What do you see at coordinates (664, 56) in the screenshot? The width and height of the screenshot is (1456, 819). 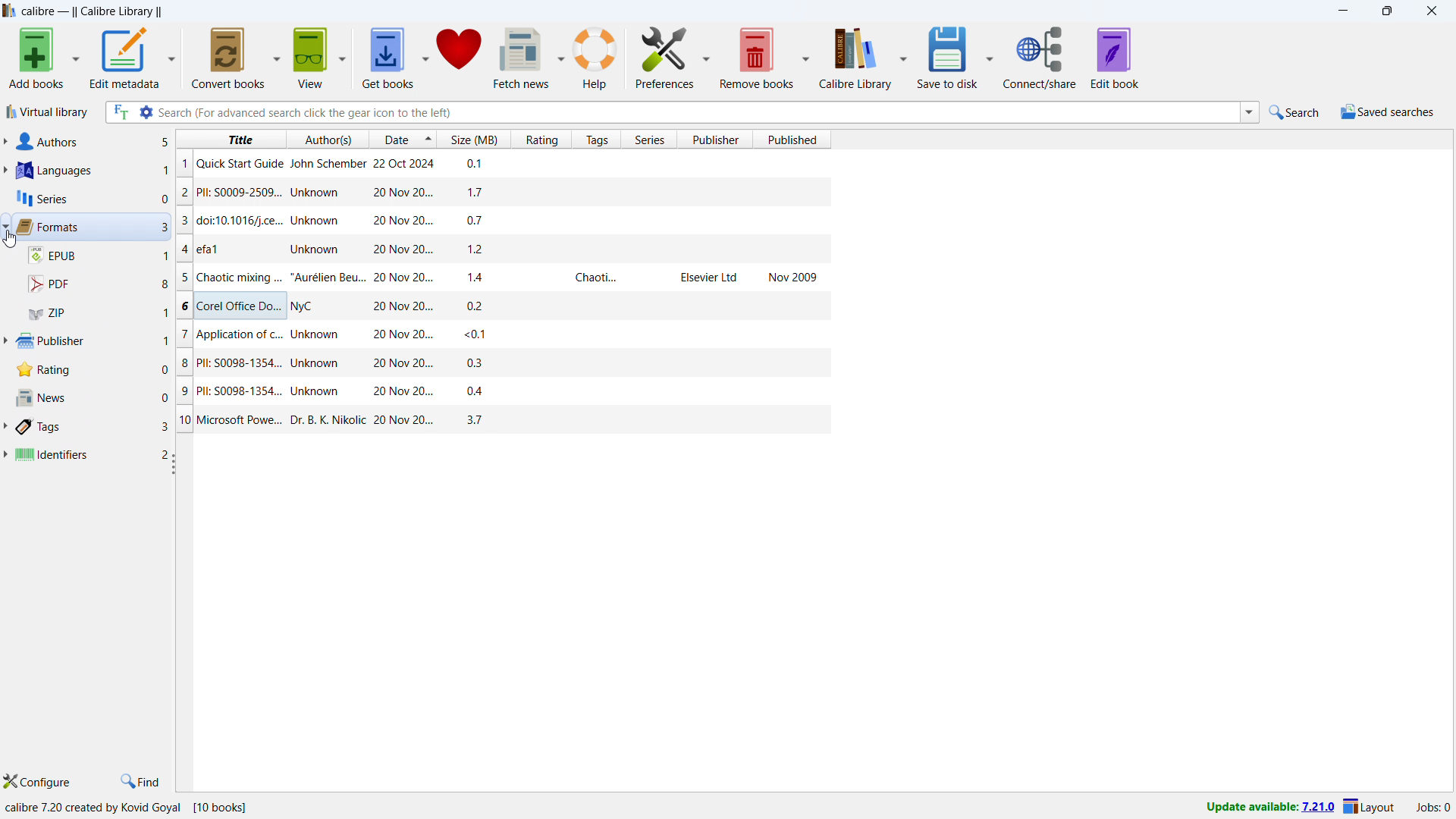 I see `preferences` at bounding box center [664, 56].